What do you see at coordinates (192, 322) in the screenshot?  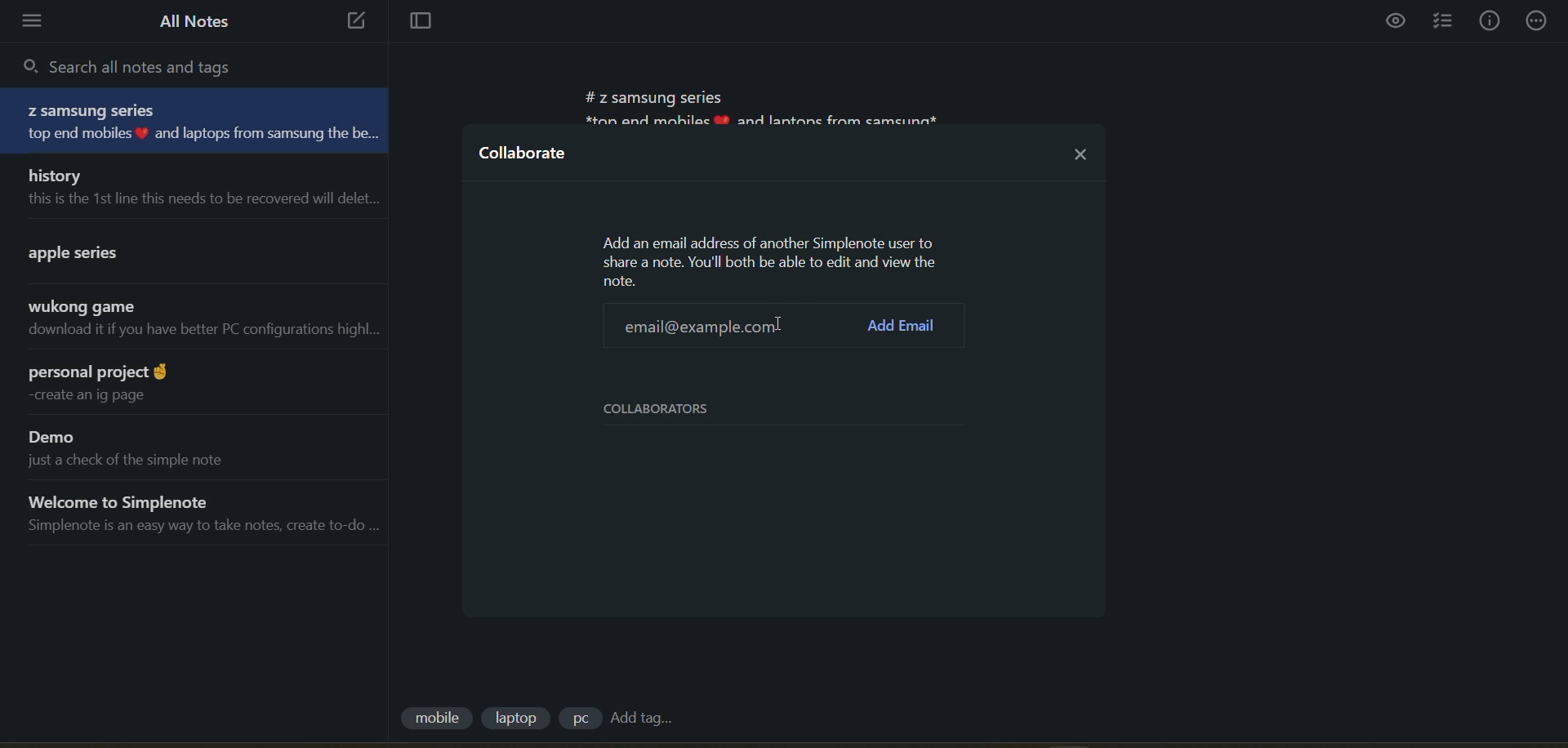 I see `note title and preview` at bounding box center [192, 322].